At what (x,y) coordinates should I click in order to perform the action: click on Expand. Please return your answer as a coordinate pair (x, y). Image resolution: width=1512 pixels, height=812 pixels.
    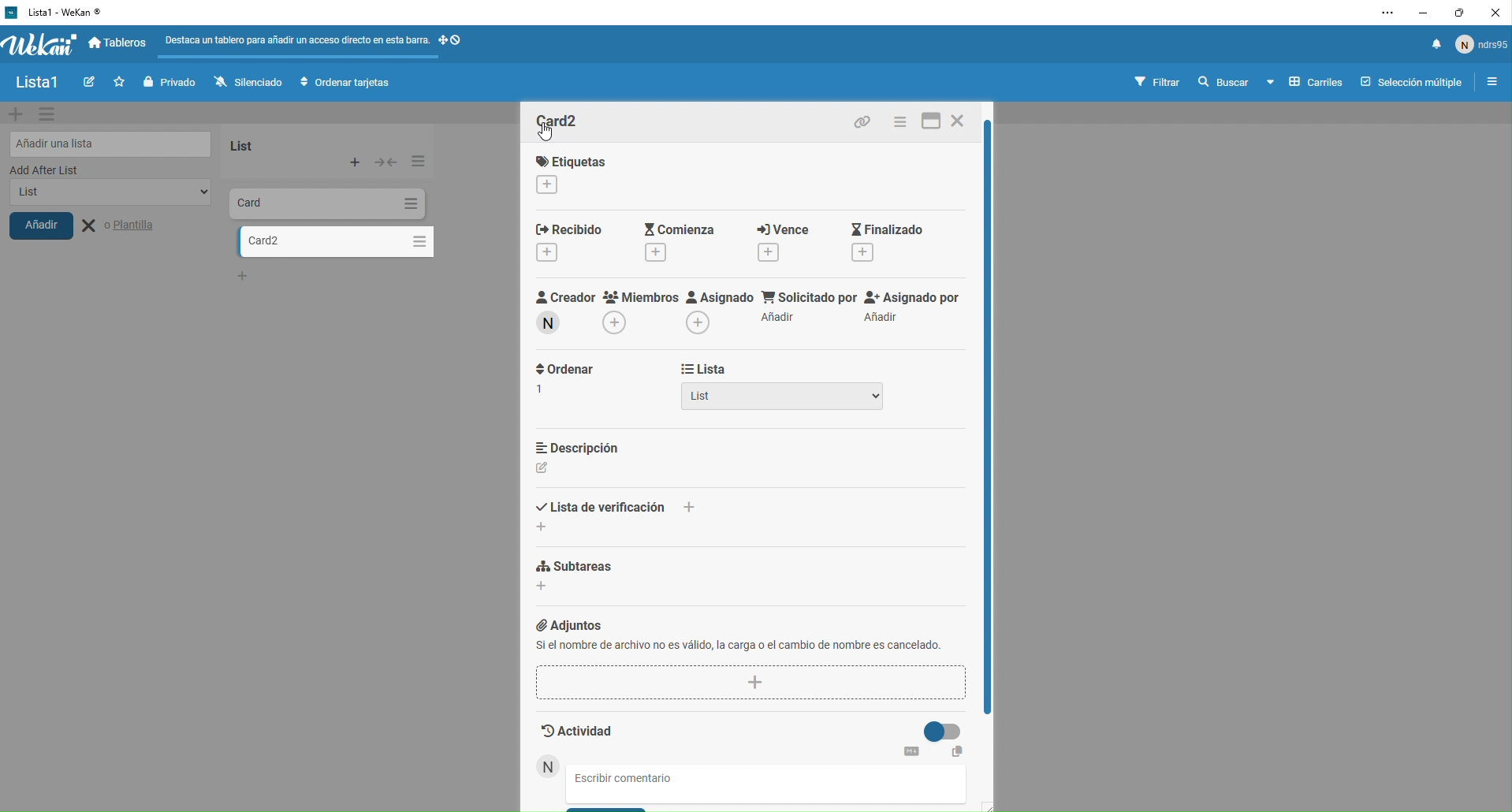
    Looking at the image, I should click on (386, 162).